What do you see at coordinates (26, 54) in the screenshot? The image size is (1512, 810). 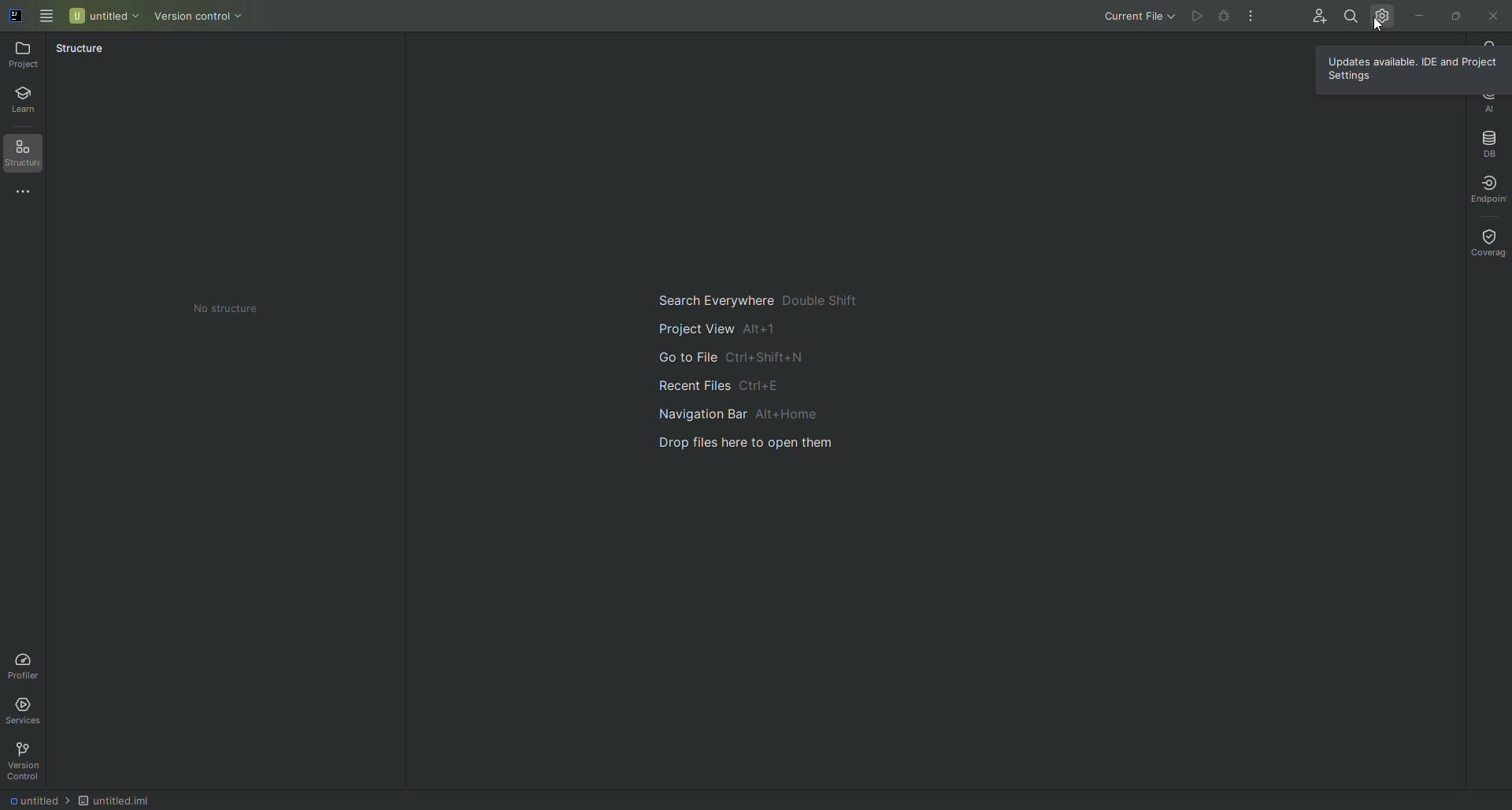 I see `Project` at bounding box center [26, 54].